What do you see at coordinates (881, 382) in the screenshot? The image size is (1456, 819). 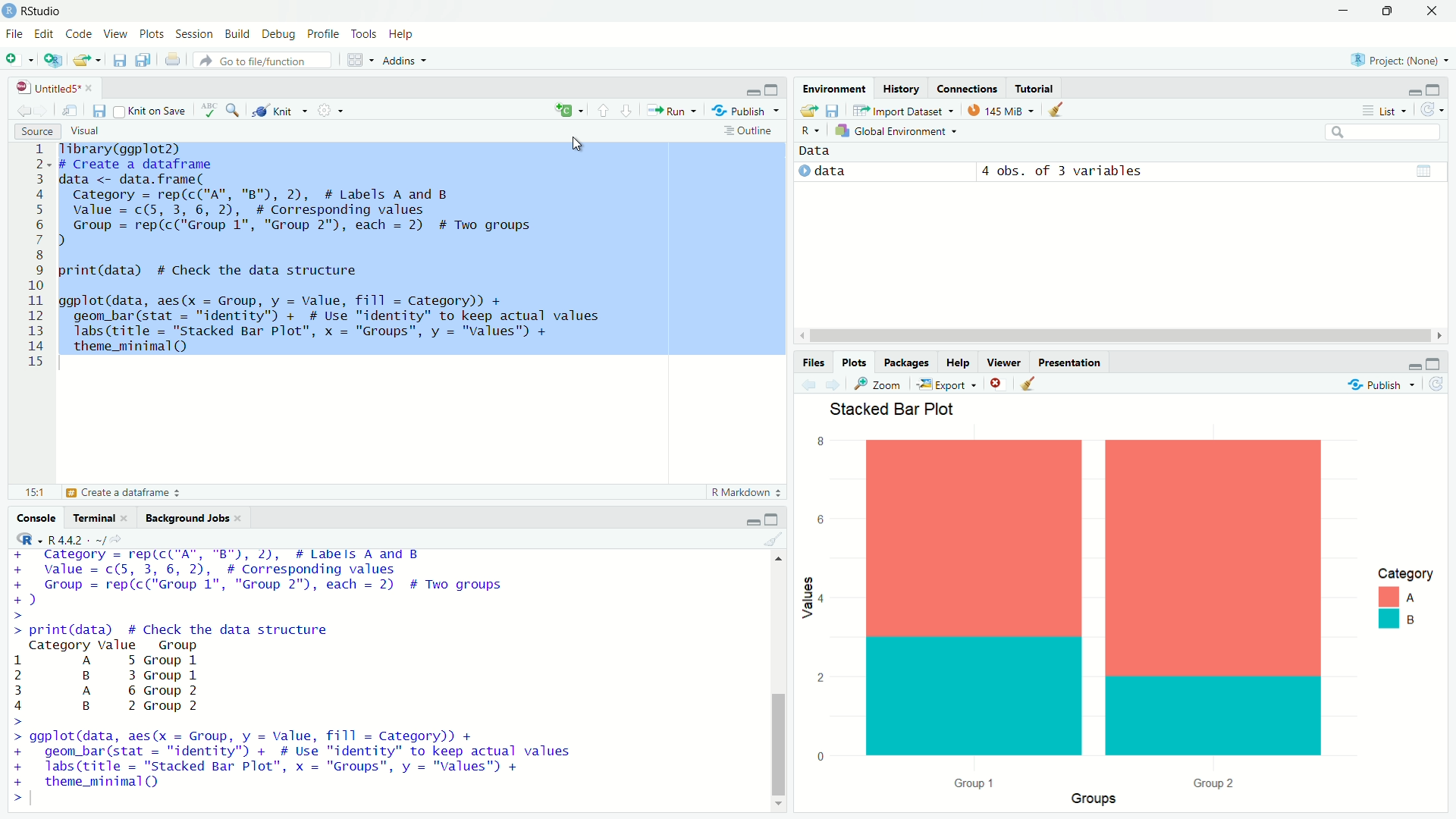 I see `Zoom` at bounding box center [881, 382].